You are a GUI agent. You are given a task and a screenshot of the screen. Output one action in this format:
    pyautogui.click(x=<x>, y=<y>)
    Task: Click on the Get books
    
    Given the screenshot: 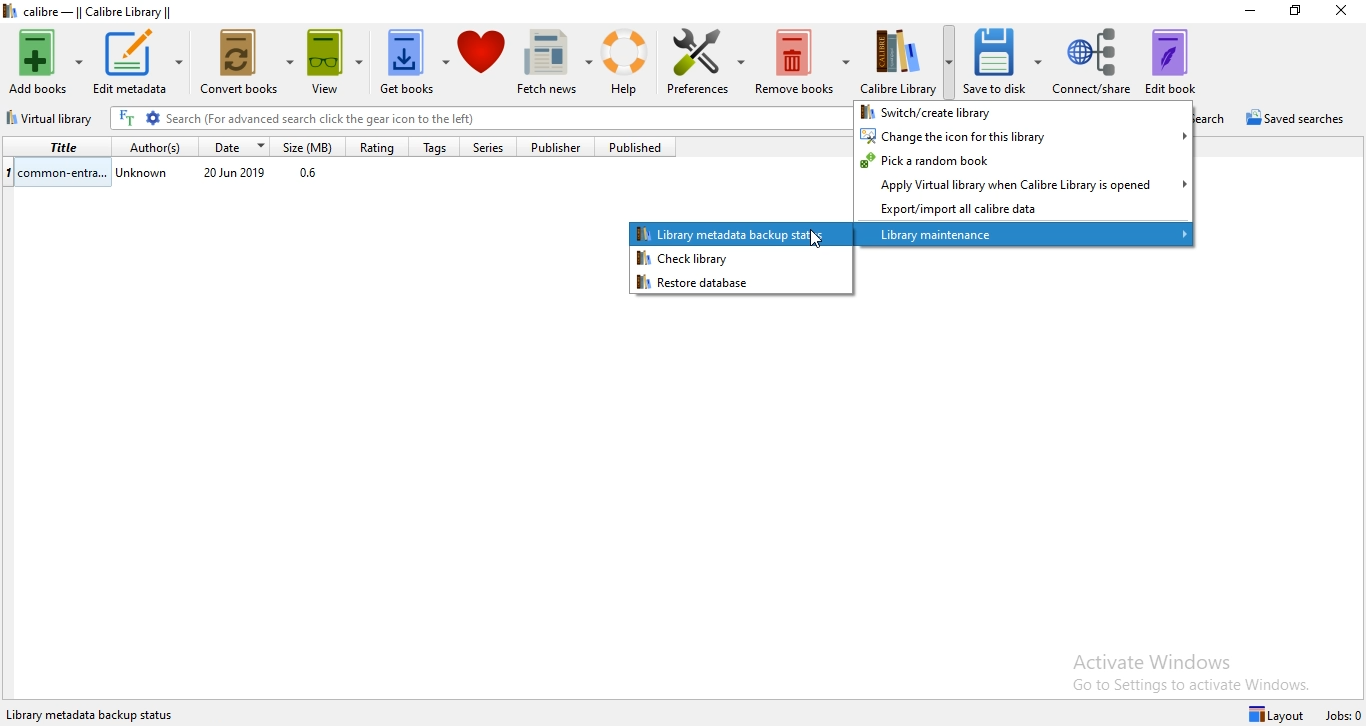 What is the action you would take?
    pyautogui.click(x=414, y=65)
    